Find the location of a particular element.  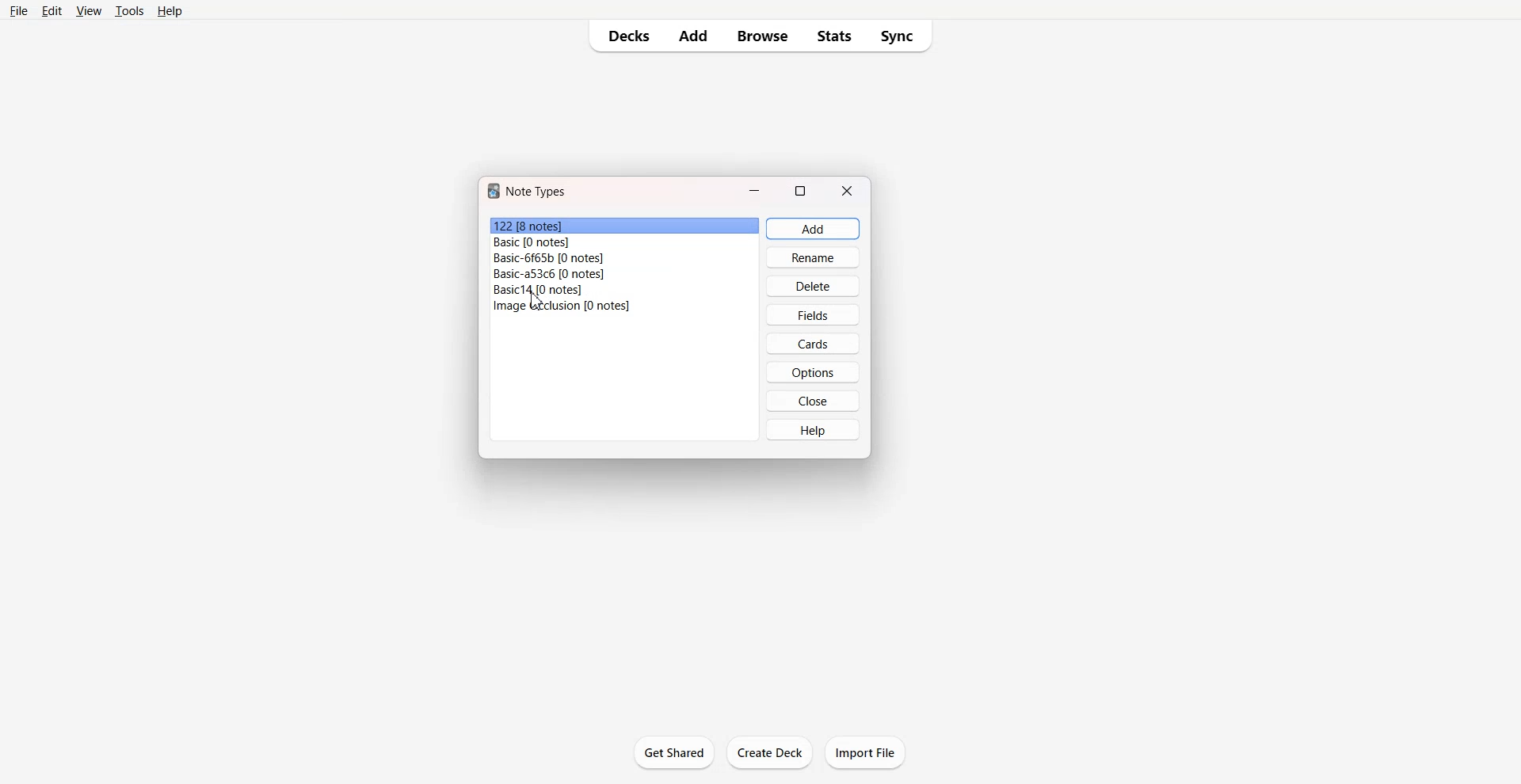

Add is located at coordinates (695, 36).